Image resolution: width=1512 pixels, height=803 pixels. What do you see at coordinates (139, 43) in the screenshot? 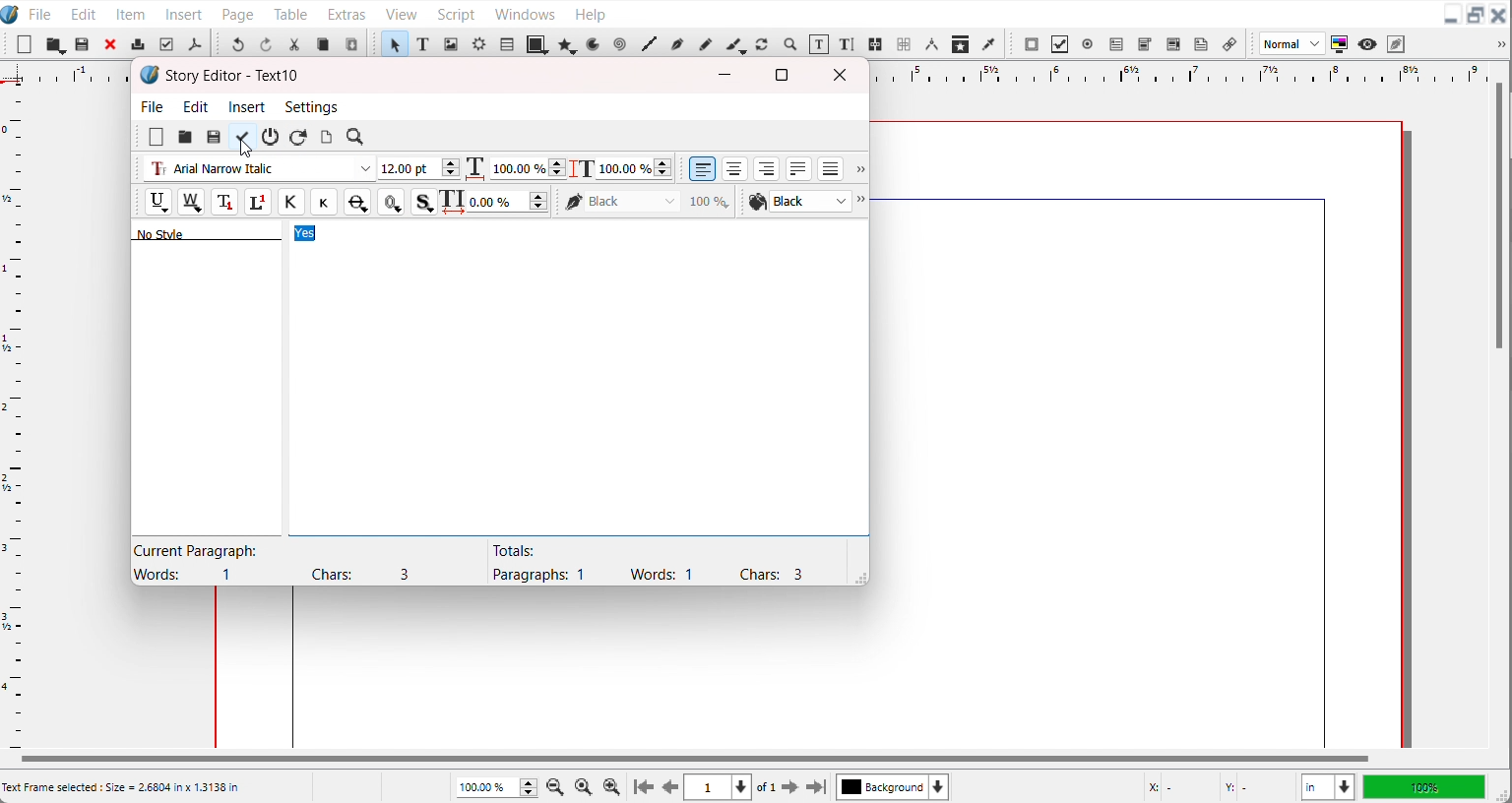
I see `Print` at bounding box center [139, 43].